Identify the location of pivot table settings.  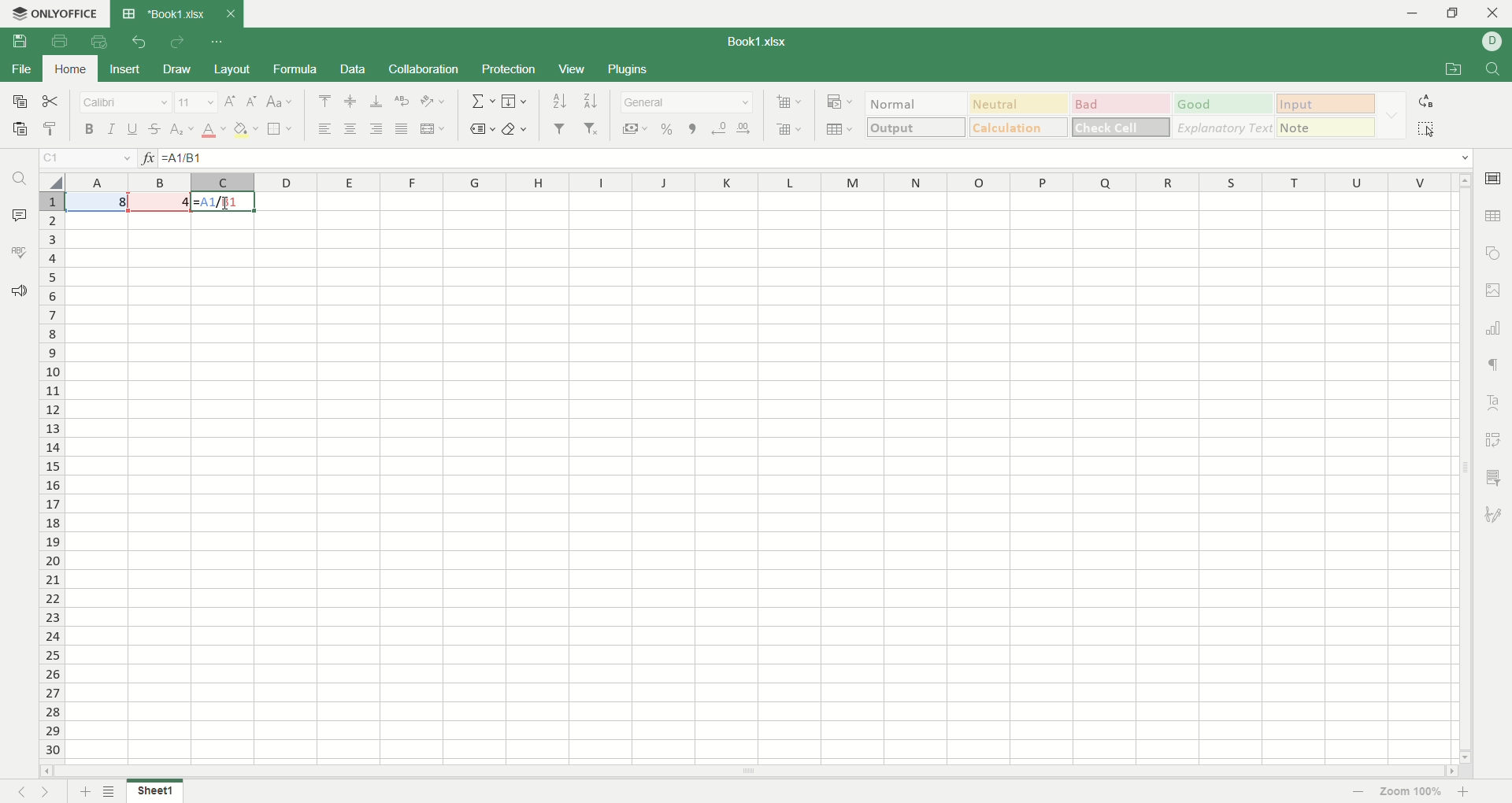
(1495, 440).